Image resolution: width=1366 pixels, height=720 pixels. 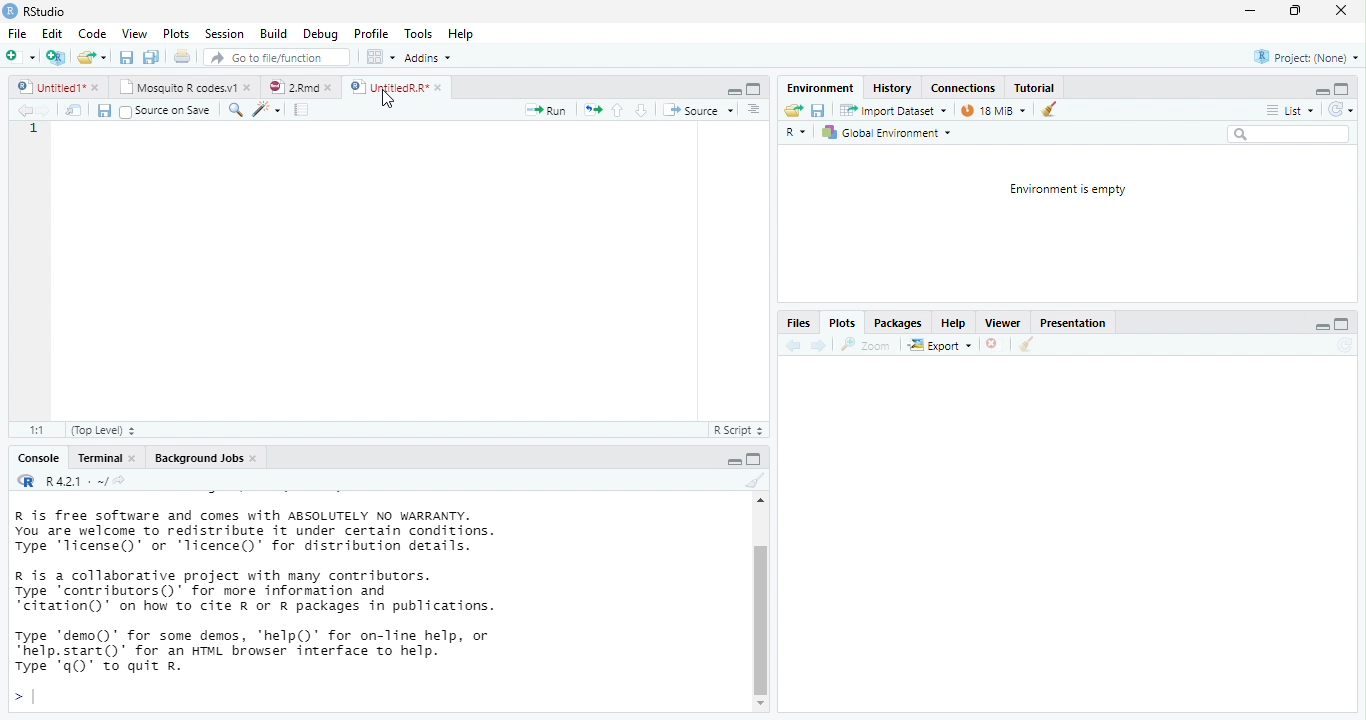 I want to click on Code, so click(x=93, y=33).